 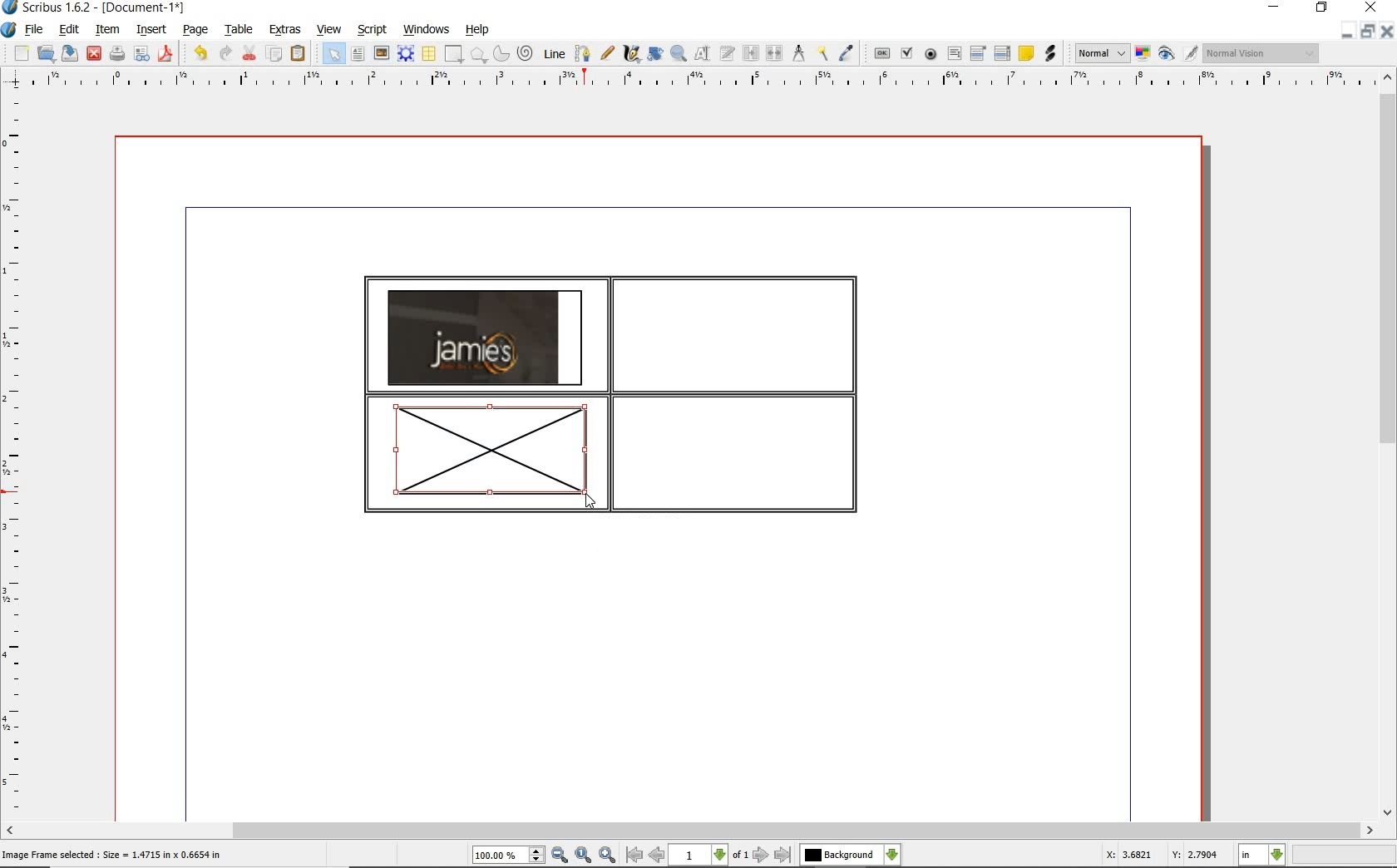 What do you see at coordinates (1144, 55) in the screenshot?
I see `toggle color management system` at bounding box center [1144, 55].